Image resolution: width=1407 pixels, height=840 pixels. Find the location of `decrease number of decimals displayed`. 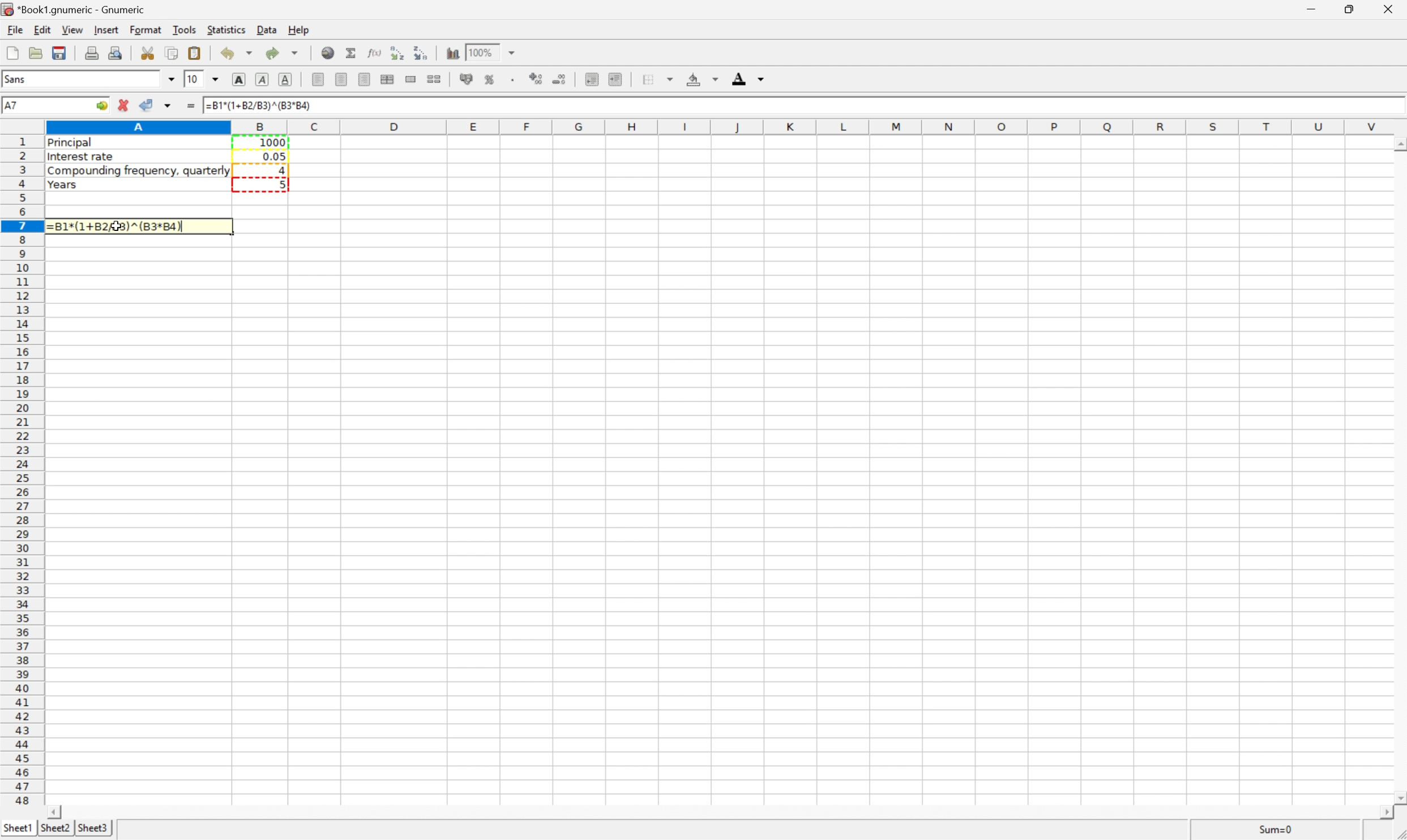

decrease number of decimals displayed is located at coordinates (561, 79).